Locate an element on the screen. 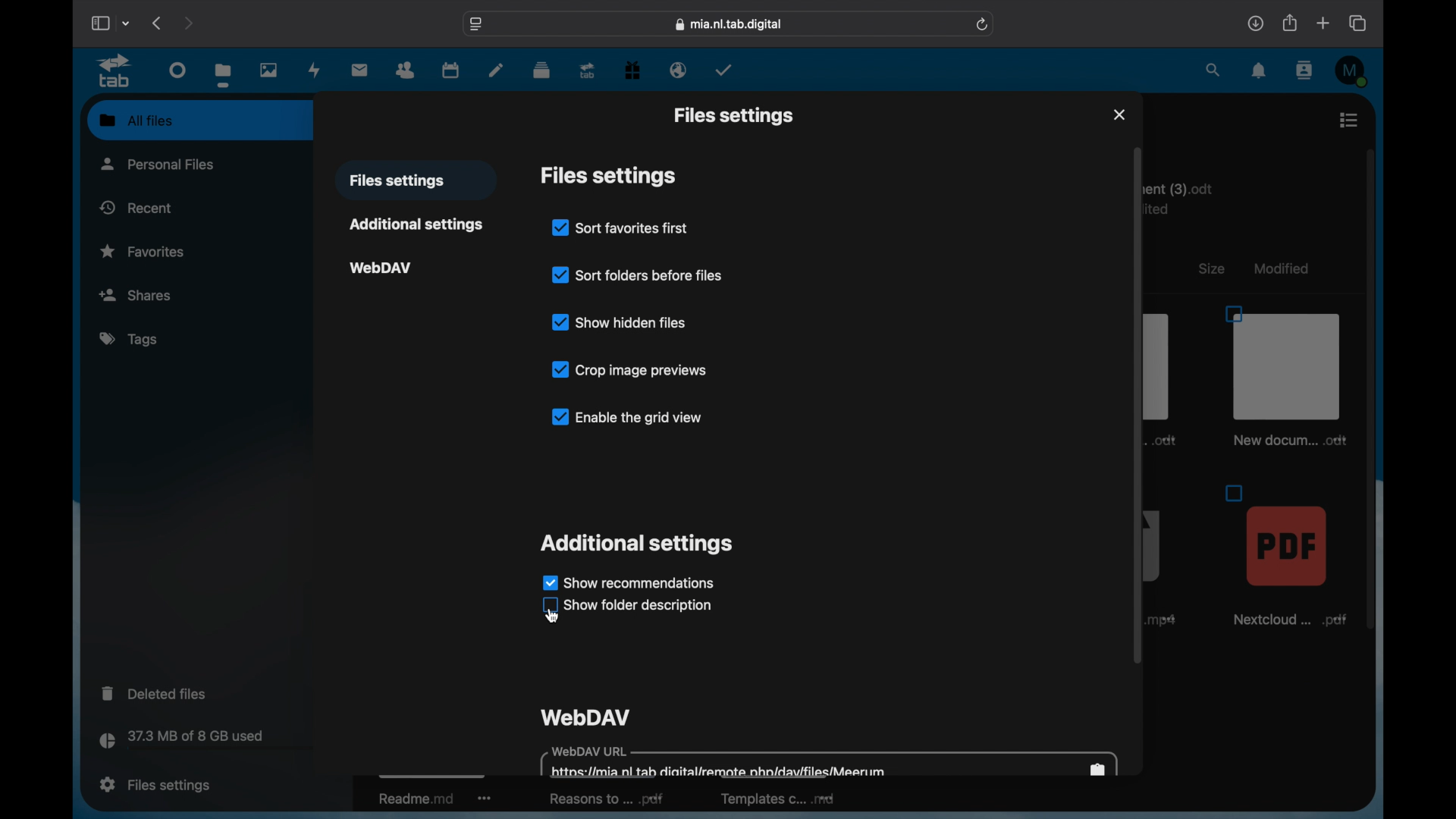  share is located at coordinates (1288, 23).